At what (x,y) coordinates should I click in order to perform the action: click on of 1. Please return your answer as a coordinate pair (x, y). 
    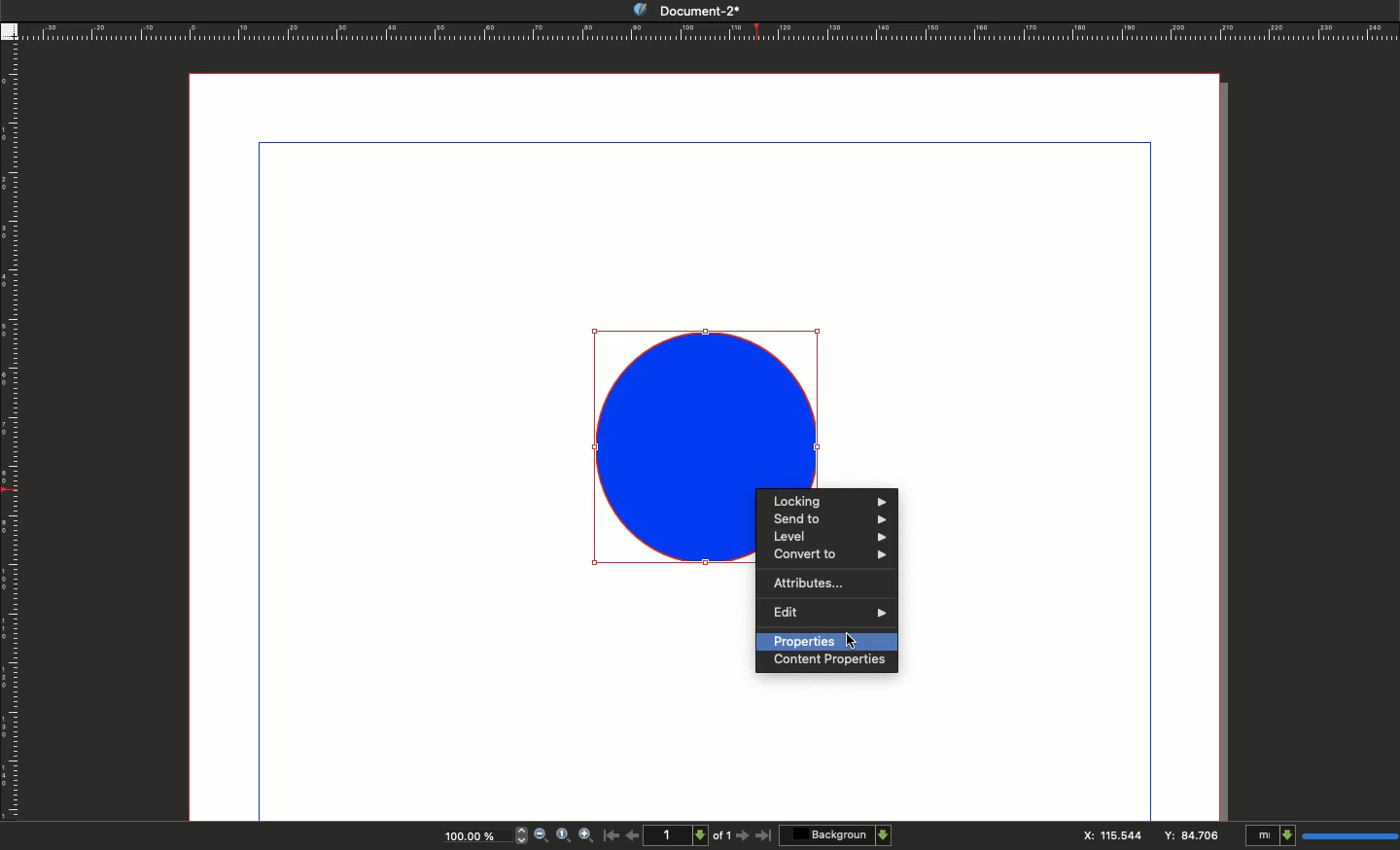
    Looking at the image, I should click on (722, 838).